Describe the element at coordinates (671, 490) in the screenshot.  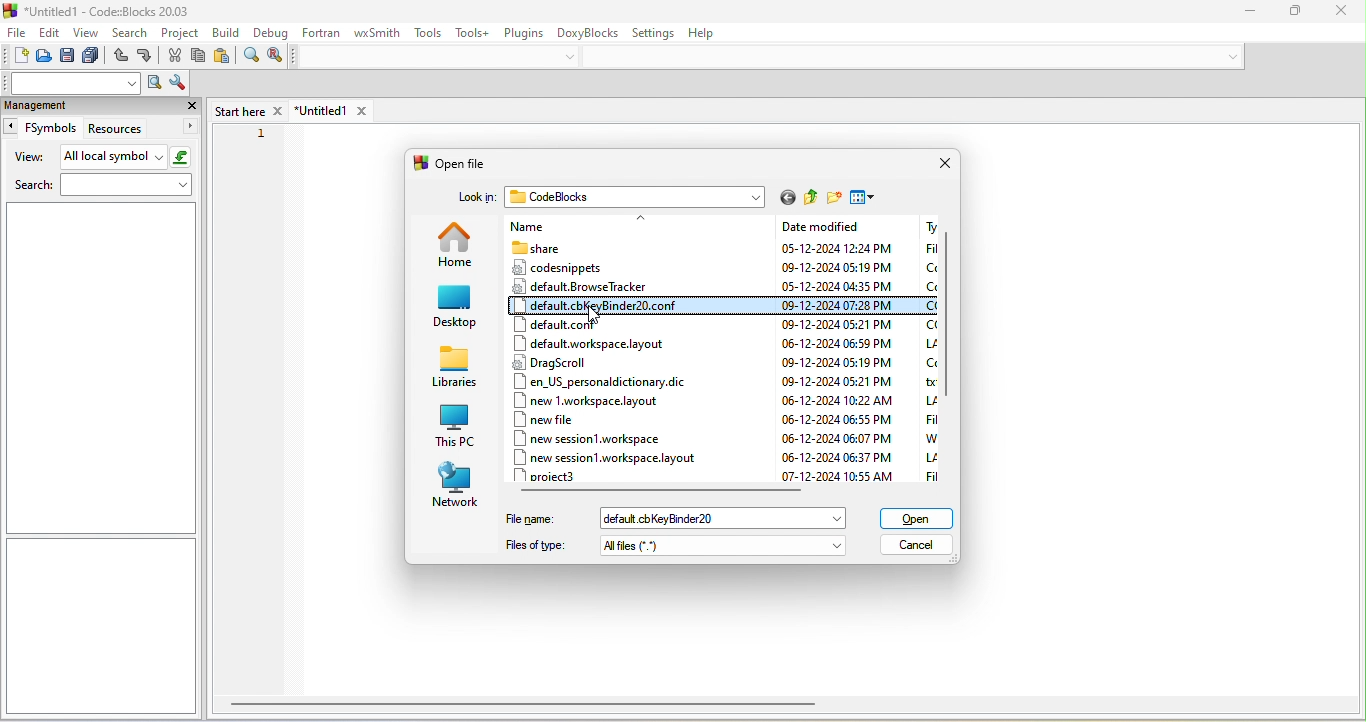
I see `horizontal bar` at that location.